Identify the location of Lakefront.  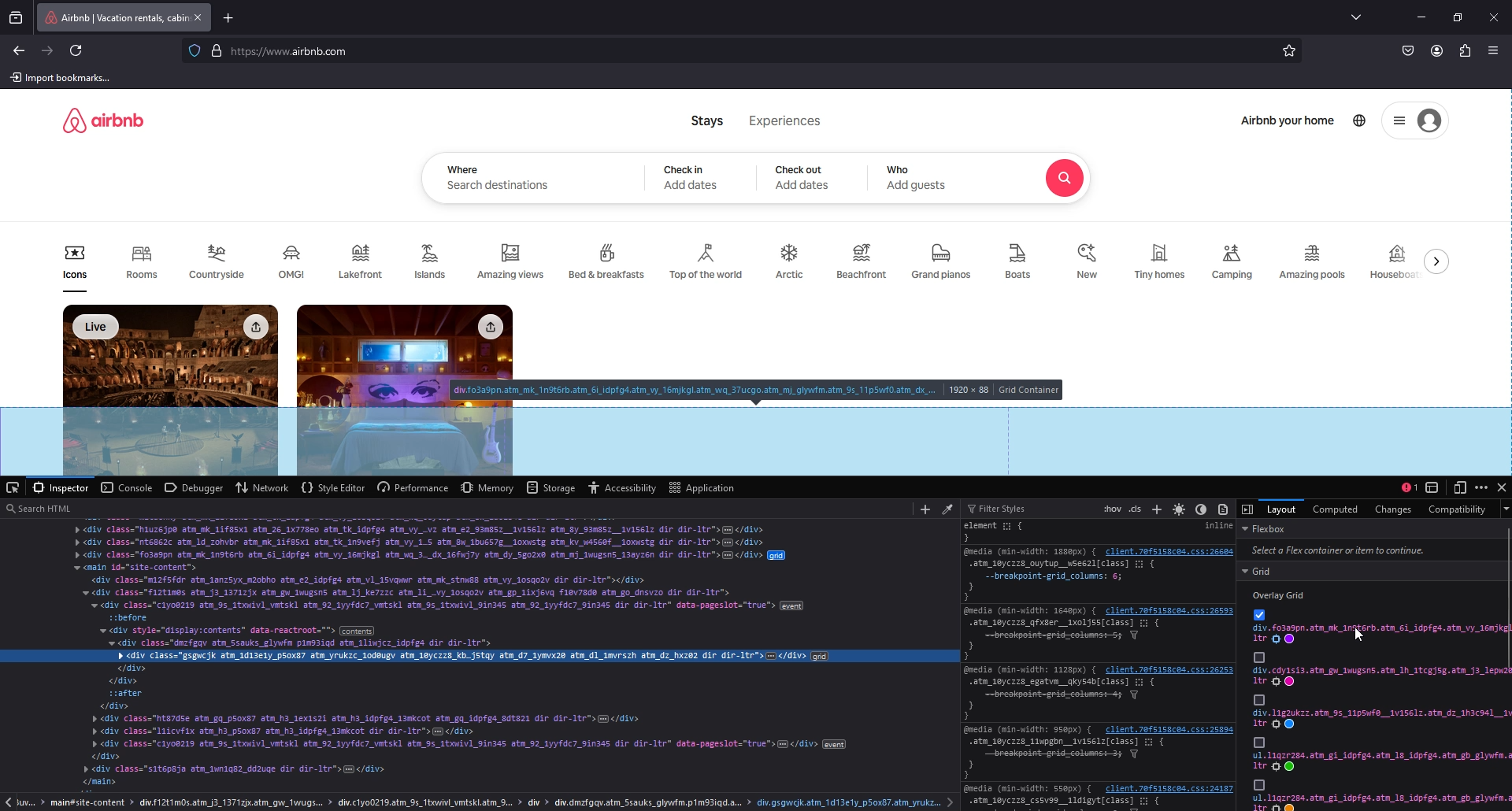
(363, 261).